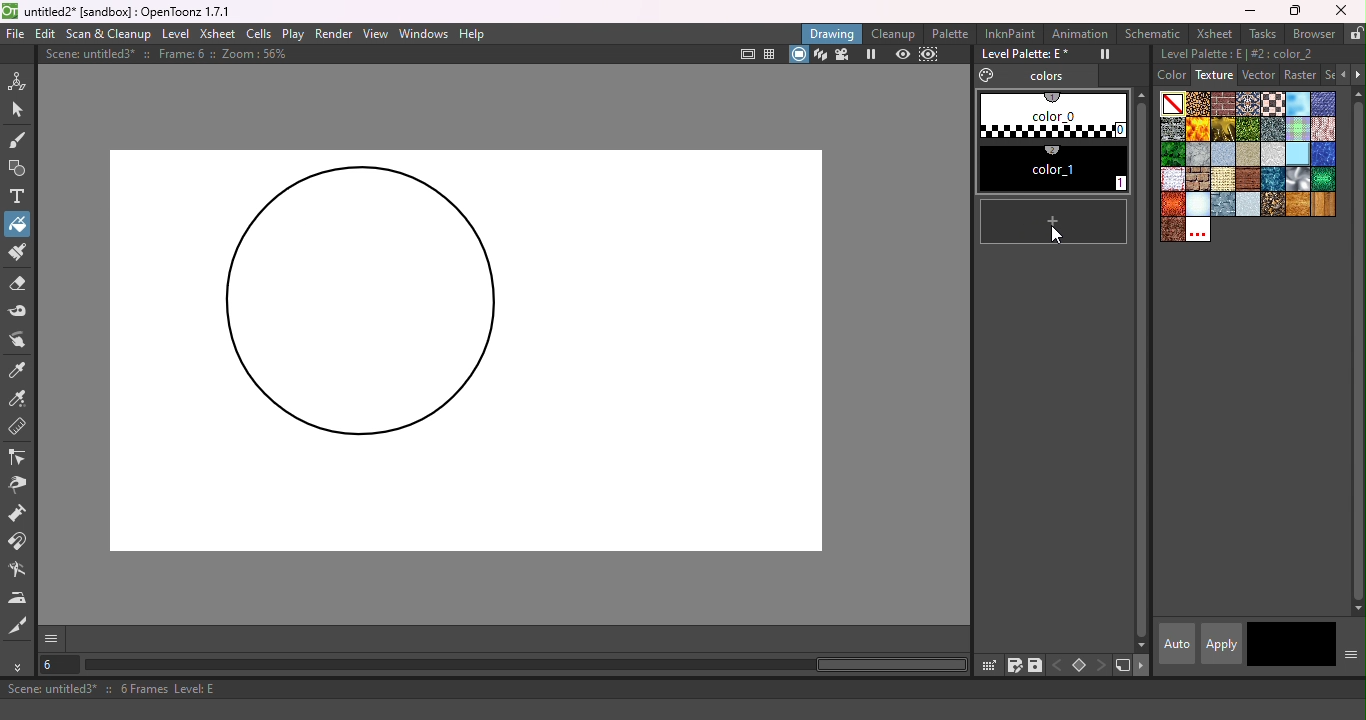  What do you see at coordinates (1013, 33) in the screenshot?
I see `InknPaint` at bounding box center [1013, 33].